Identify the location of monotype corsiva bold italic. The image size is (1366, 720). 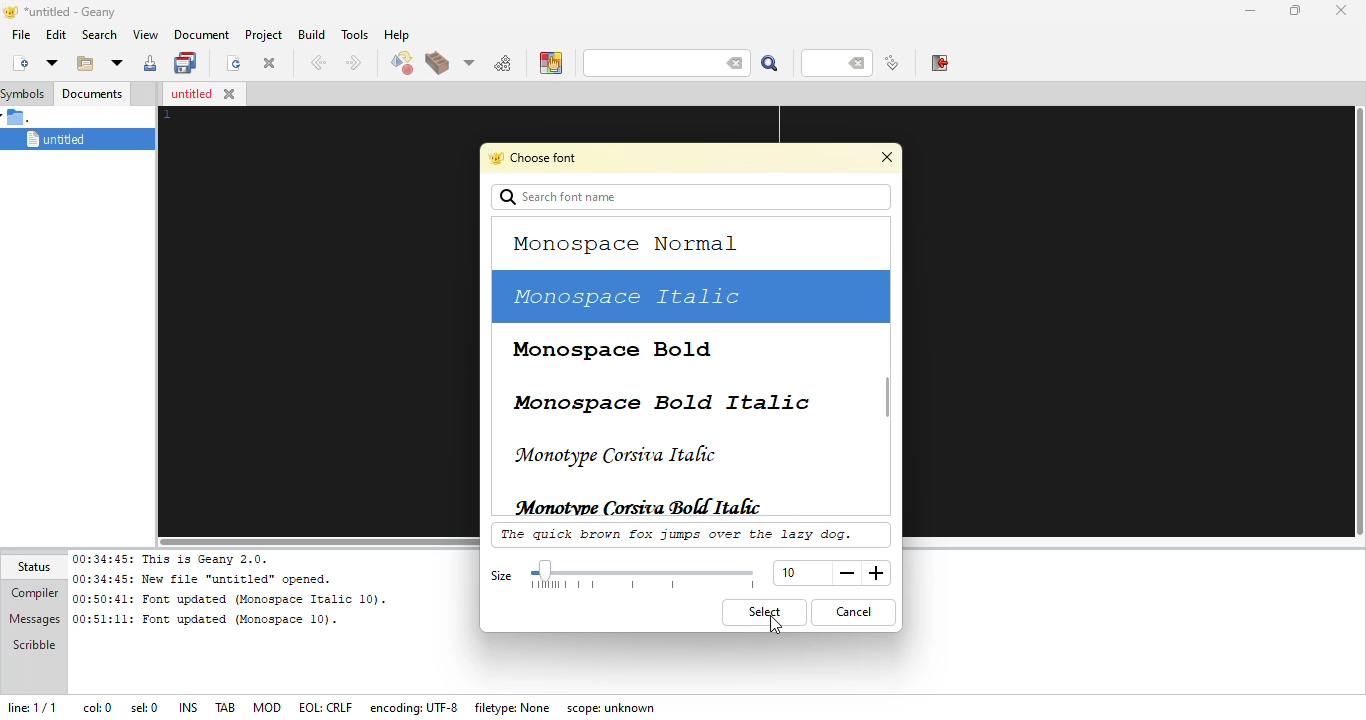
(640, 504).